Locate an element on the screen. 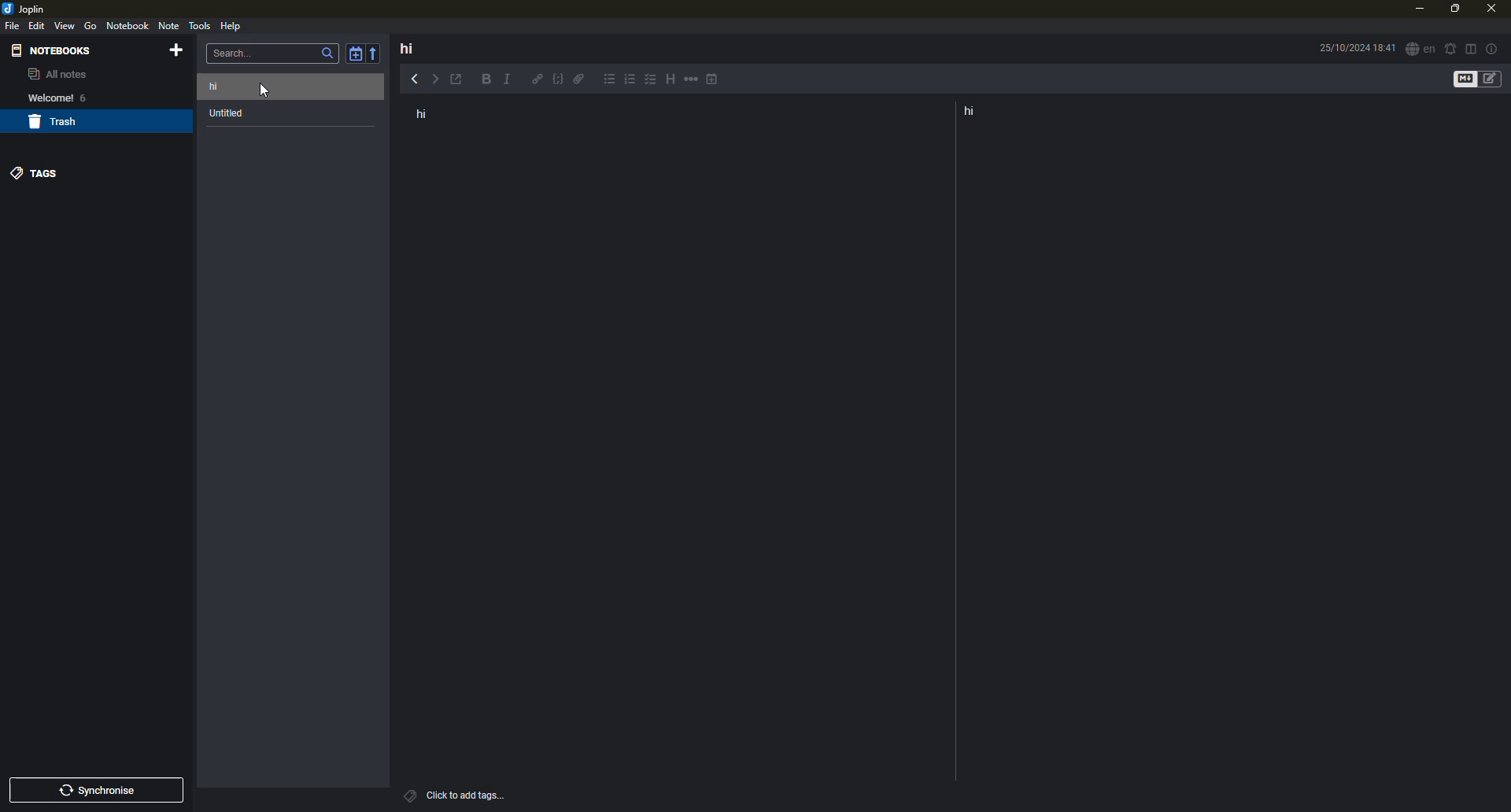  toggle external editing is located at coordinates (460, 80).